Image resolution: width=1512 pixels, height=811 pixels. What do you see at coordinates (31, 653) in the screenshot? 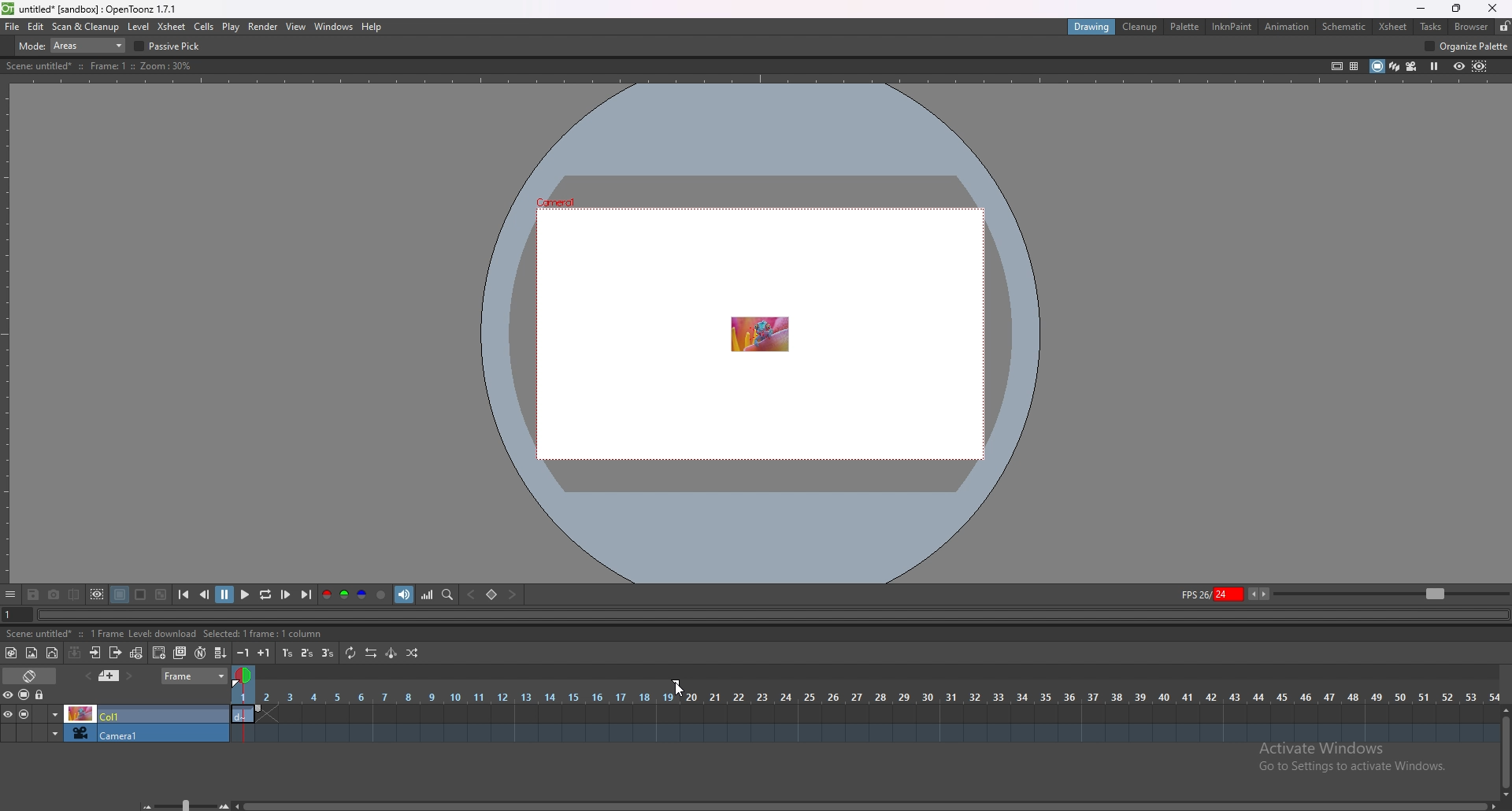
I see `new raster level`` at bounding box center [31, 653].